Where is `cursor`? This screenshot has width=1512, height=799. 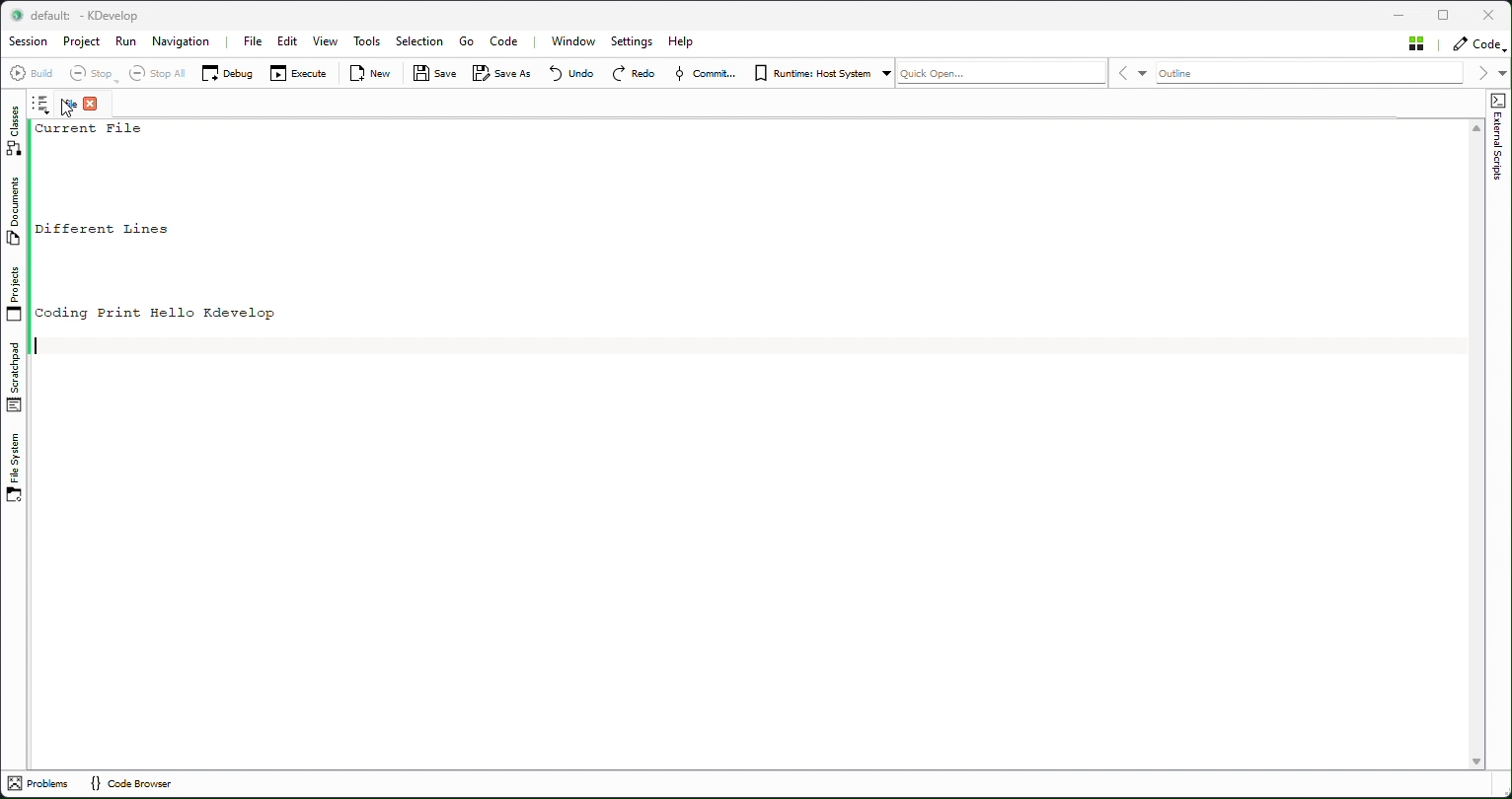 cursor is located at coordinates (71, 110).